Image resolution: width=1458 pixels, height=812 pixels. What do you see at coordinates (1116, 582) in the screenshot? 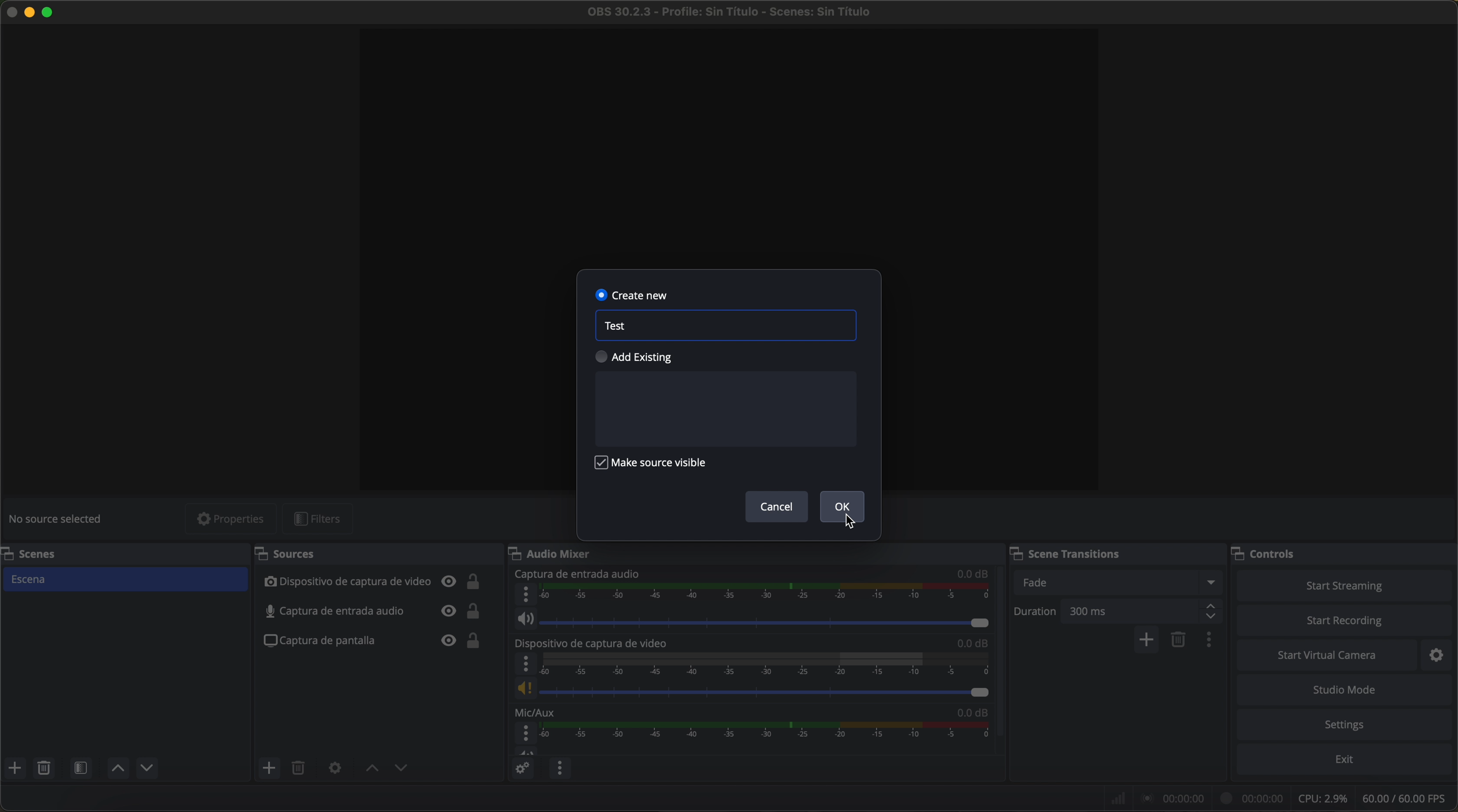
I see `fade` at bounding box center [1116, 582].